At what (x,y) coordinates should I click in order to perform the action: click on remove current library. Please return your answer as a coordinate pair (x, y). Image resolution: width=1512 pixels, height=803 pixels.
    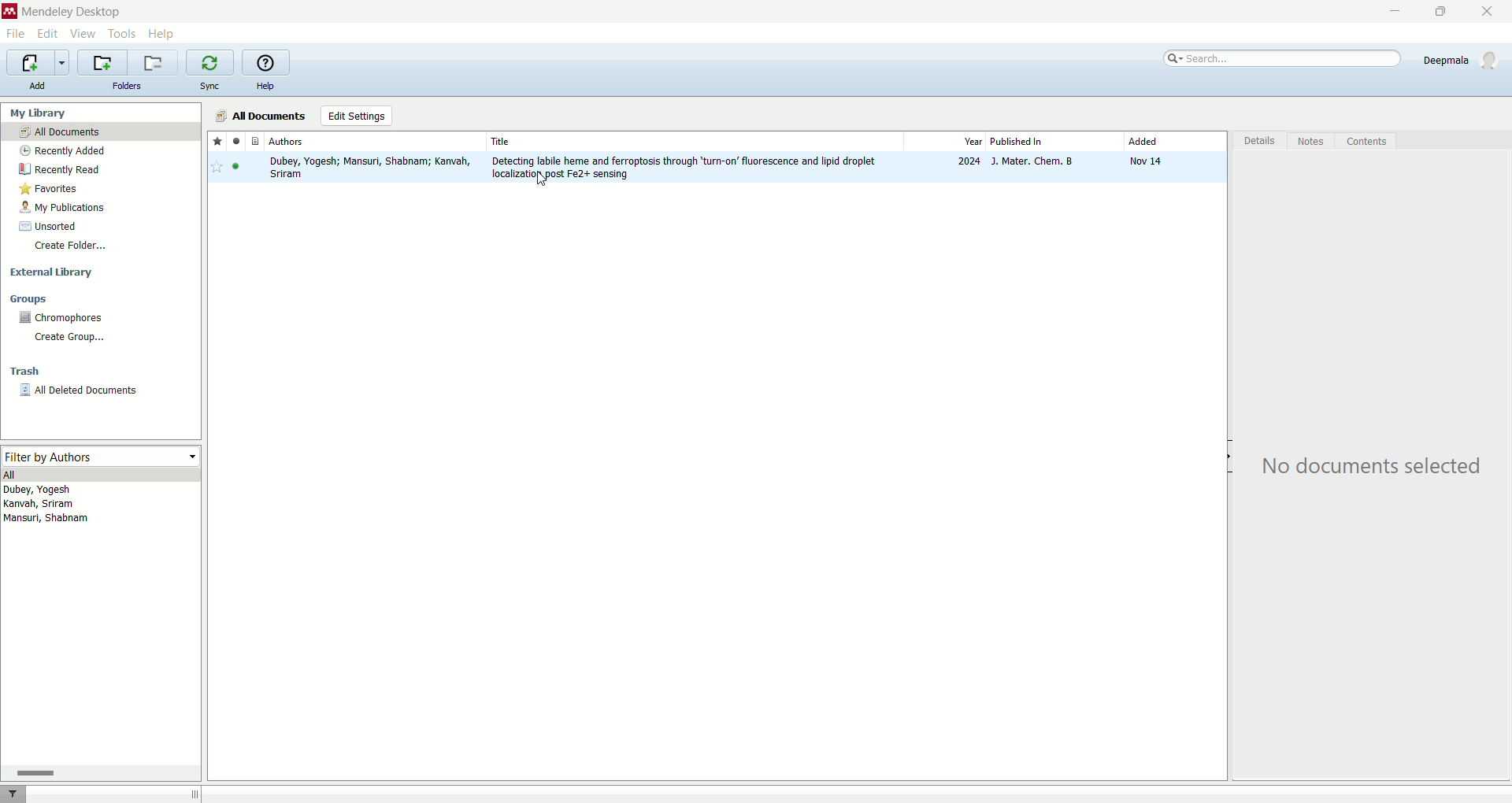
    Looking at the image, I should click on (154, 62).